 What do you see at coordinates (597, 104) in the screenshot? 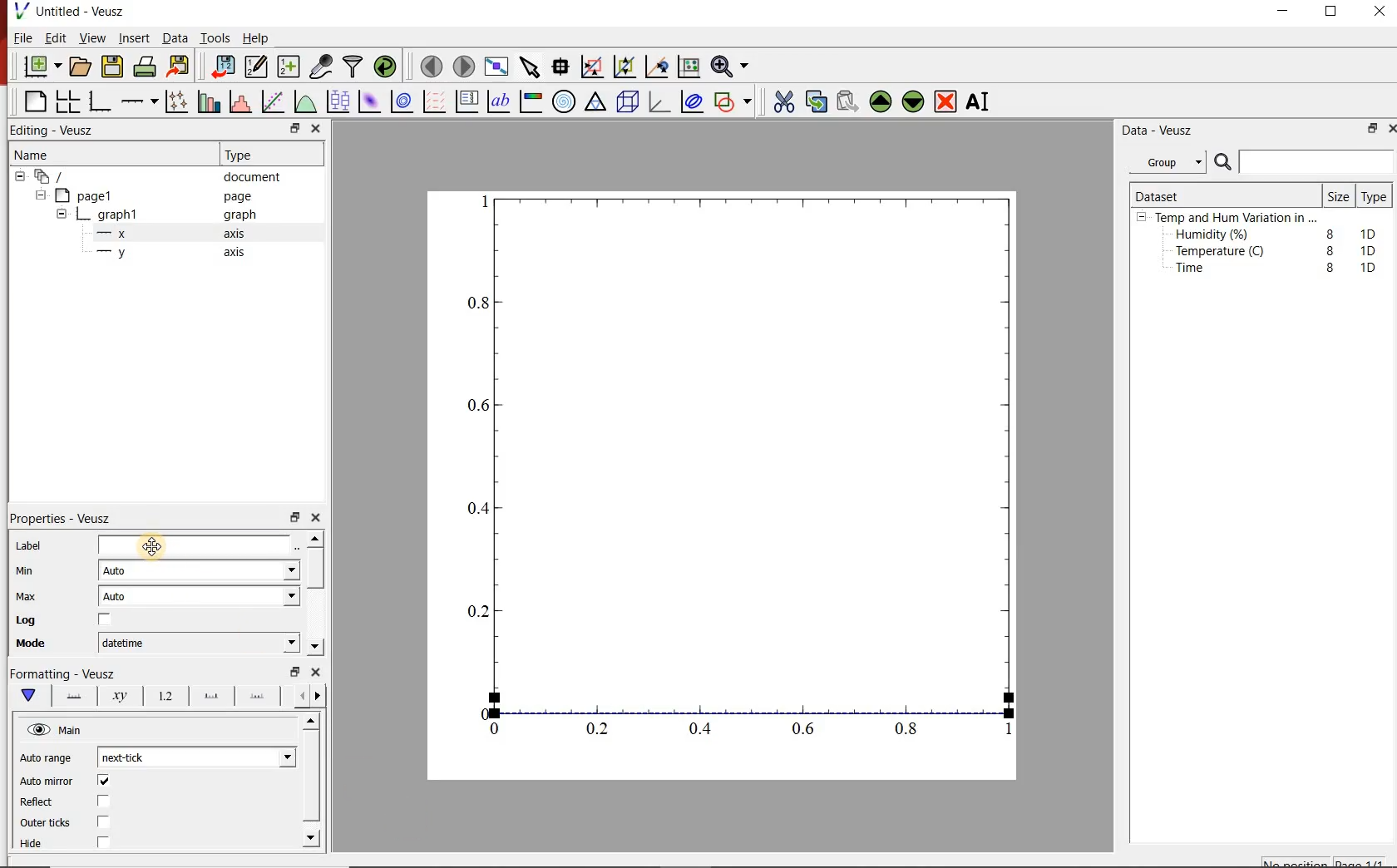
I see `ternary graph` at bounding box center [597, 104].